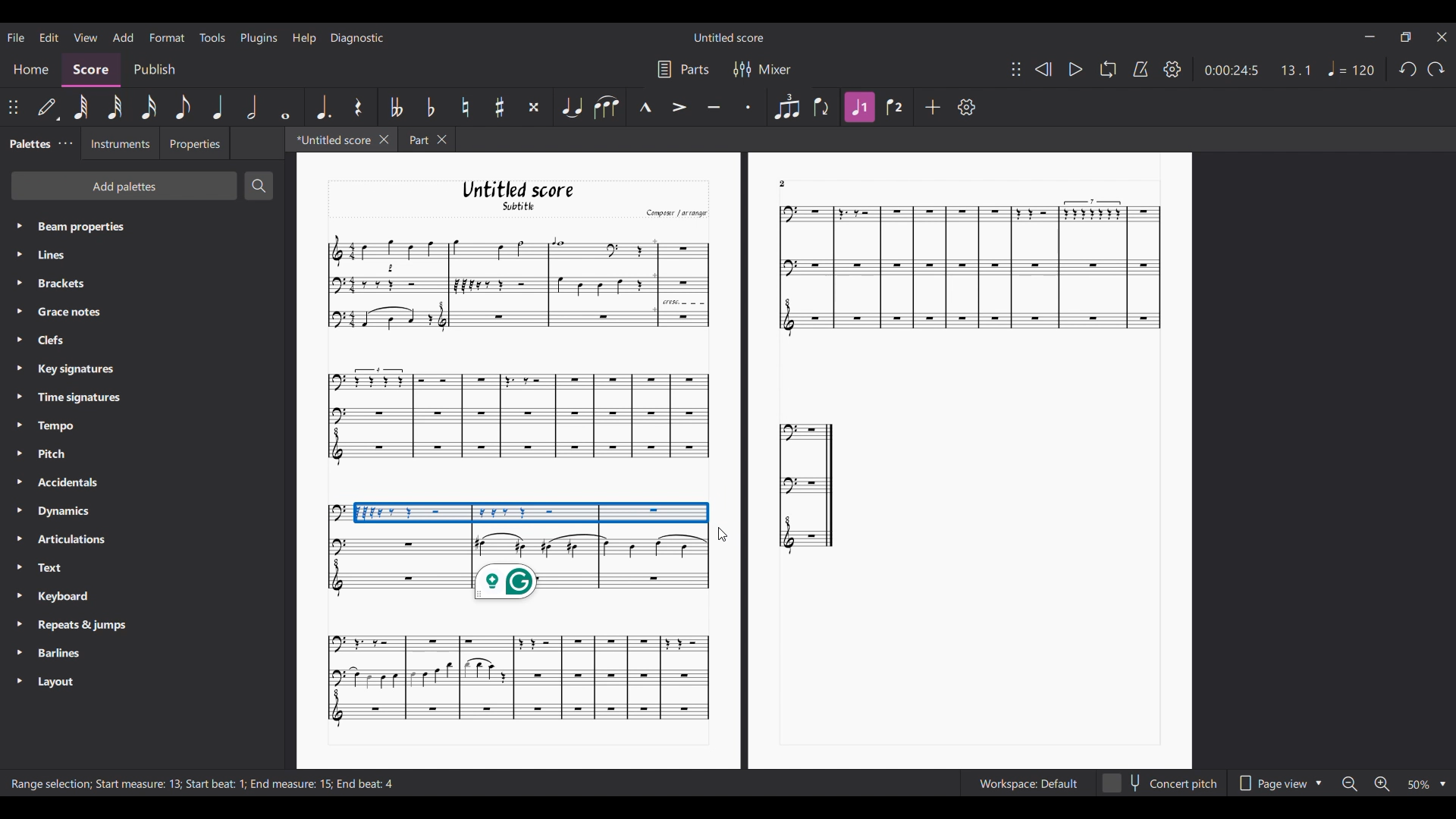 This screenshot has width=1456, height=819. I want to click on Quarter note, so click(217, 107).